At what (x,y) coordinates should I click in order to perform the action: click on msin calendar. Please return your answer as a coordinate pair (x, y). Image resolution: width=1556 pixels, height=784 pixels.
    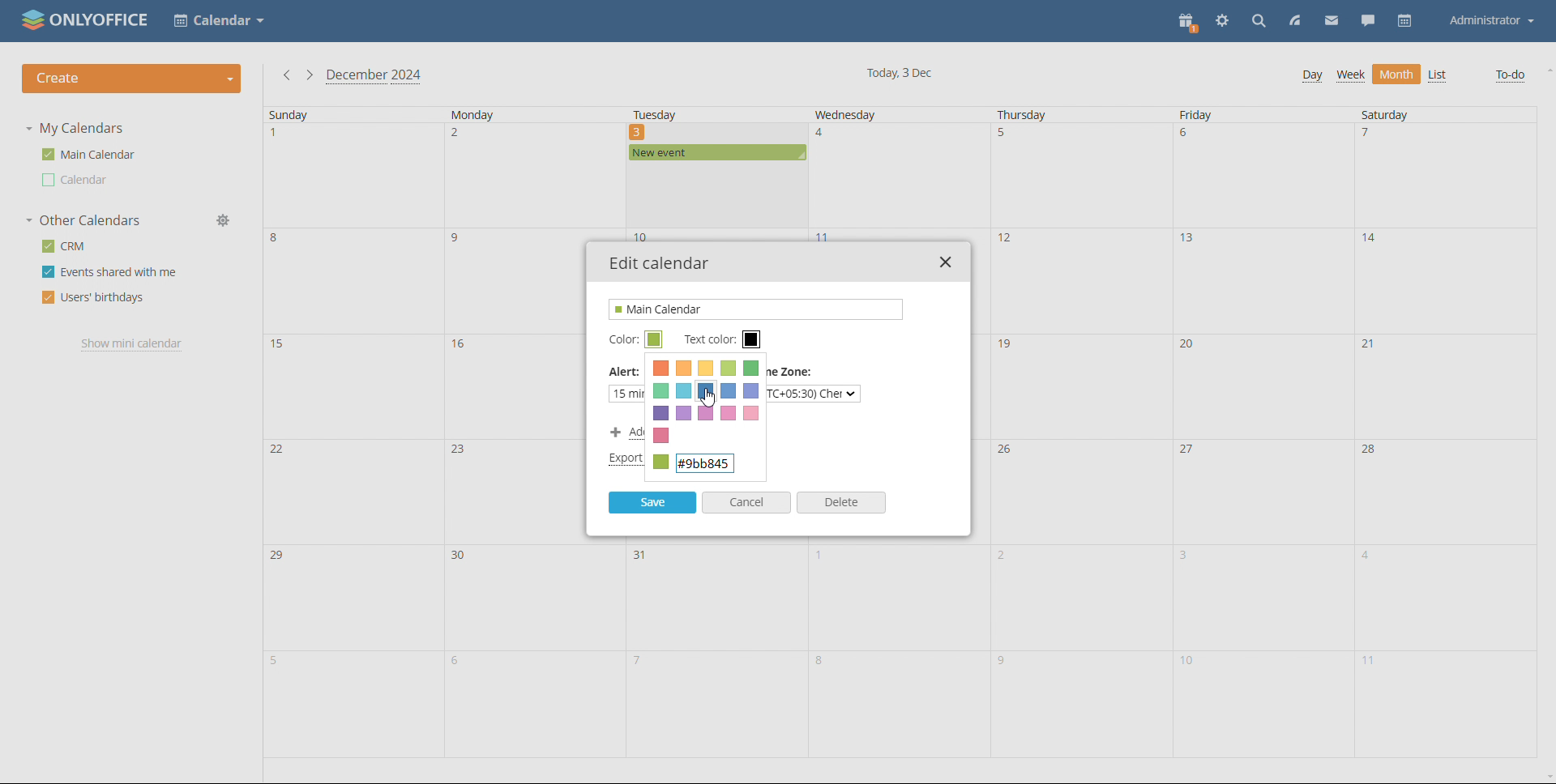
    Looking at the image, I should click on (88, 155).